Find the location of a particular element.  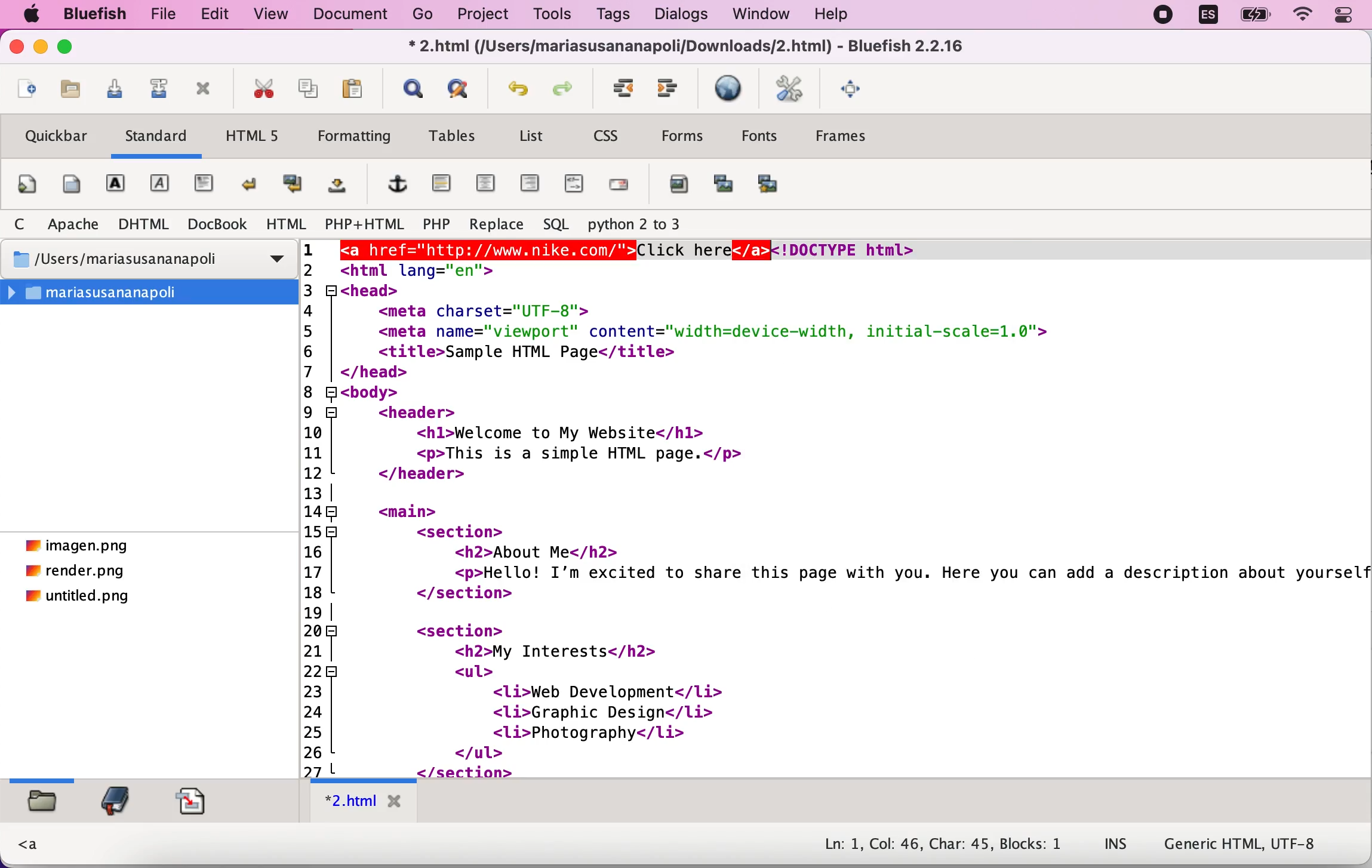

file is located at coordinates (162, 14).